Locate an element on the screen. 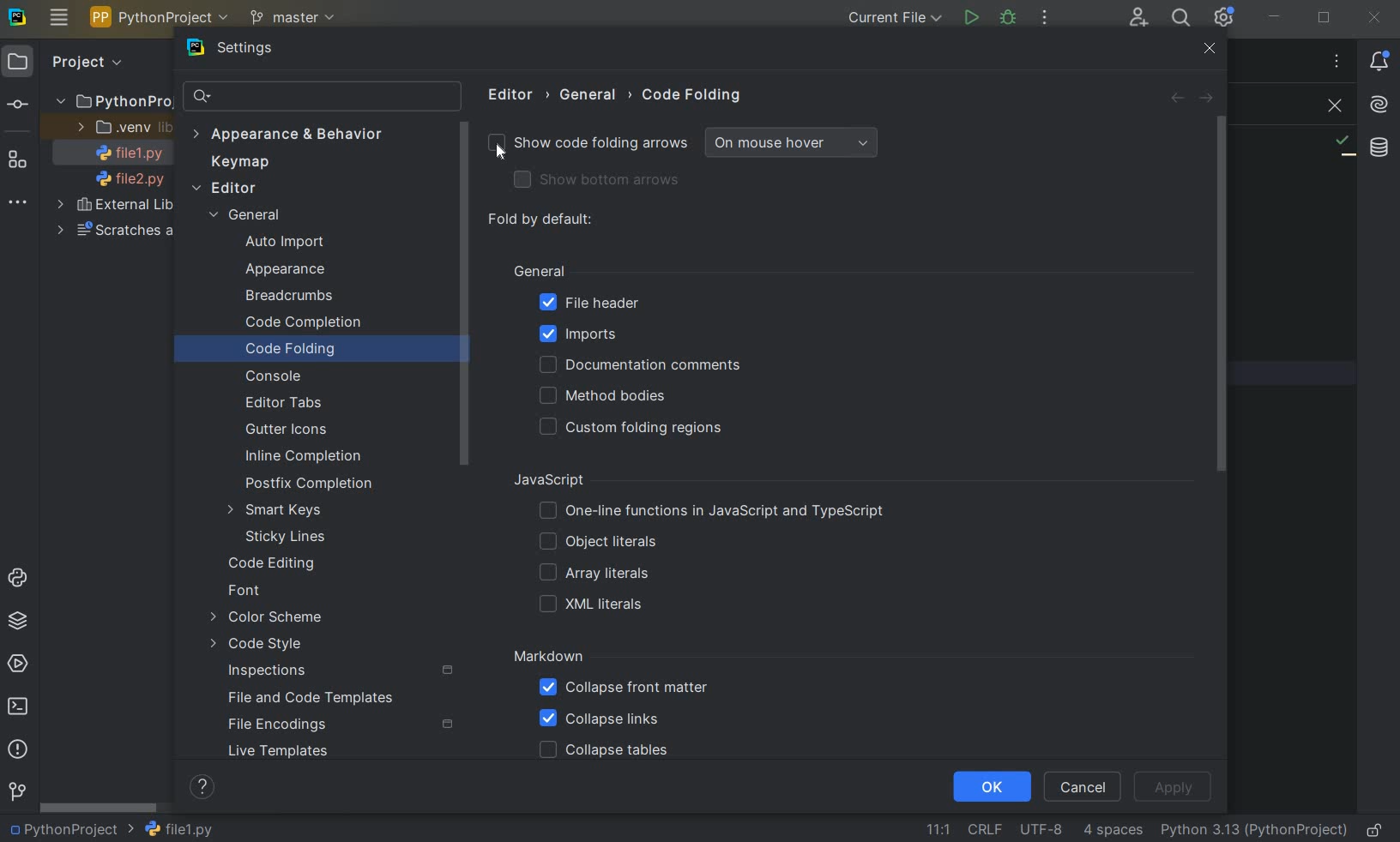  DOCUMENTATION COMMENTS is located at coordinates (638, 365).